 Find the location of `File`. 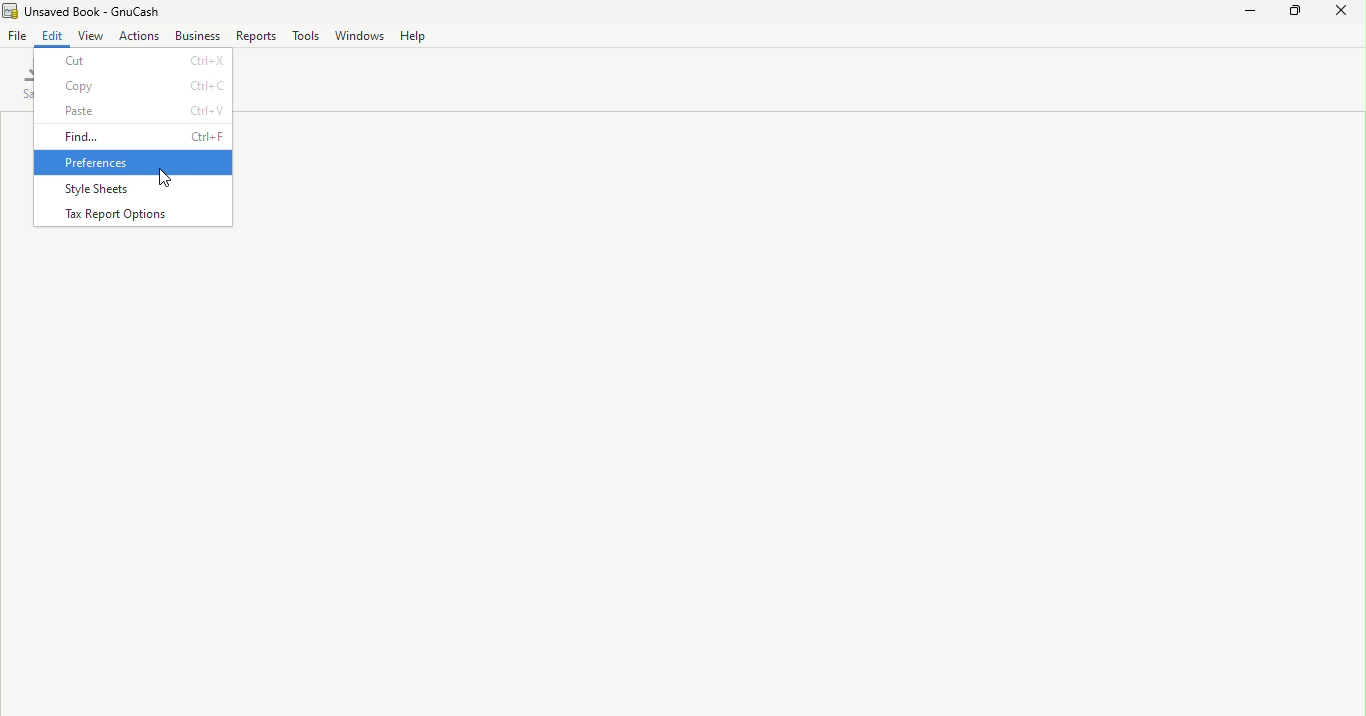

File is located at coordinates (17, 35).